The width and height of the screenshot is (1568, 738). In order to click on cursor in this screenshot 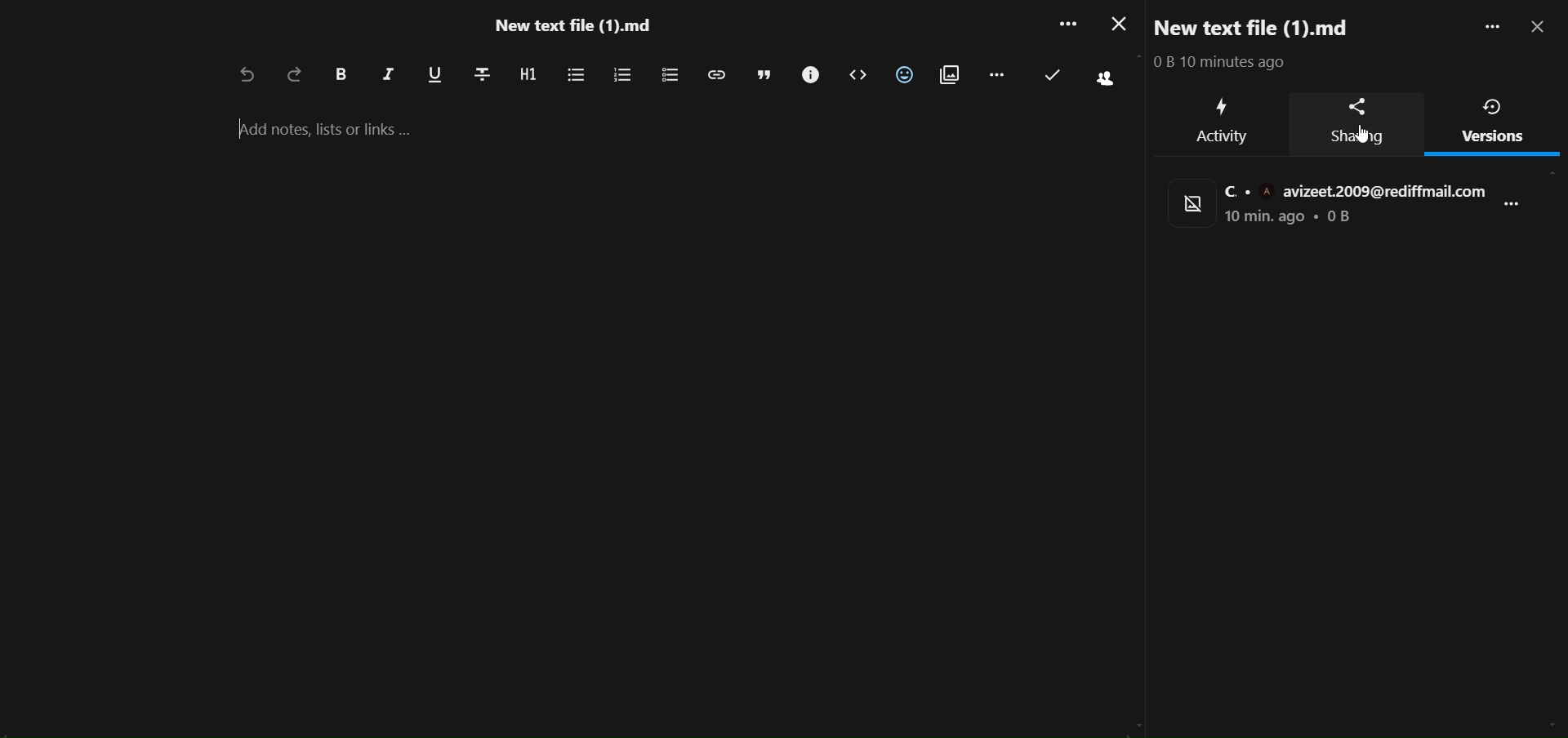, I will do `click(1365, 136)`.